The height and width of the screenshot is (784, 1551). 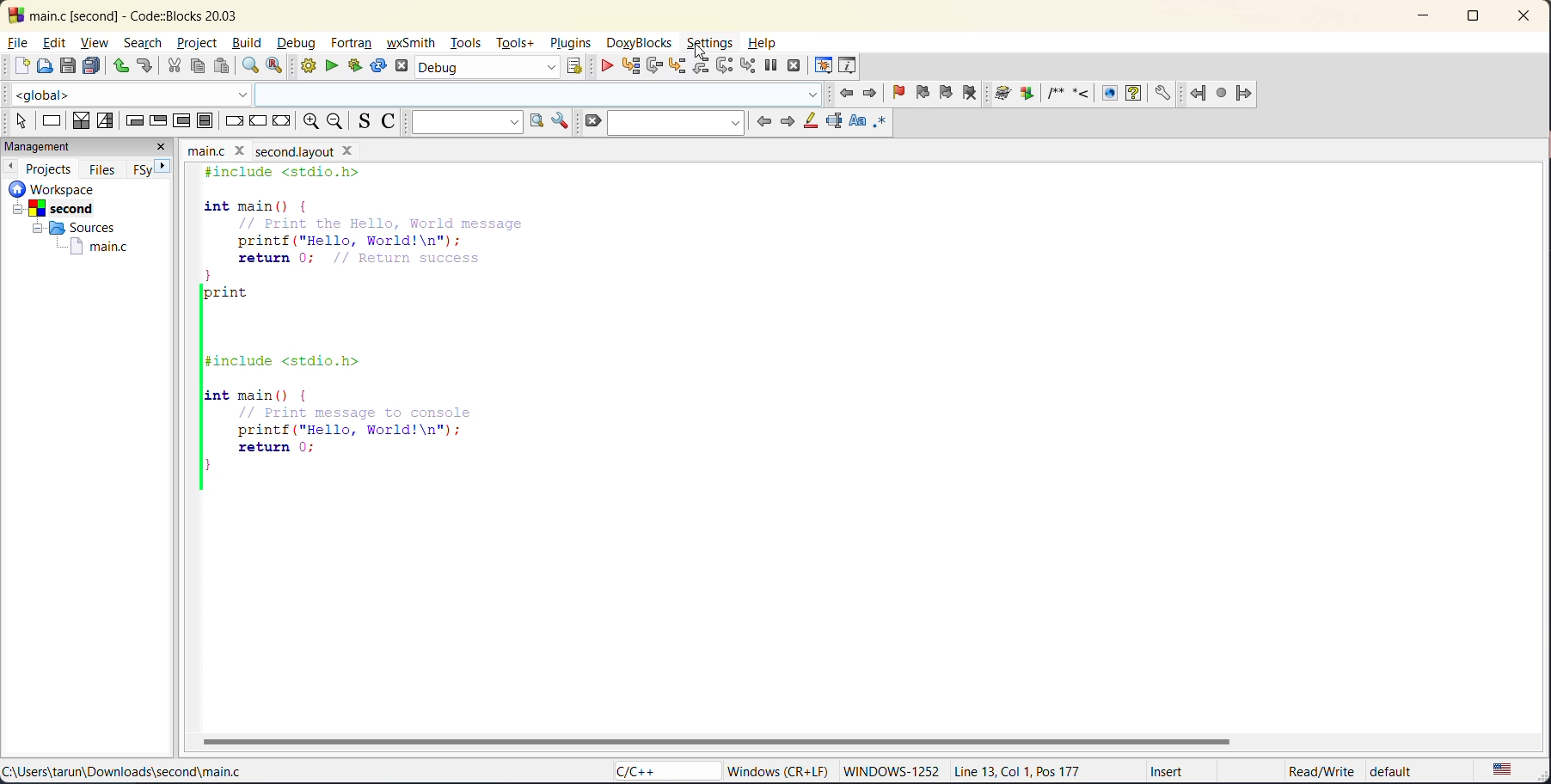 What do you see at coordinates (1303, 771) in the screenshot?
I see `Read/Write` at bounding box center [1303, 771].